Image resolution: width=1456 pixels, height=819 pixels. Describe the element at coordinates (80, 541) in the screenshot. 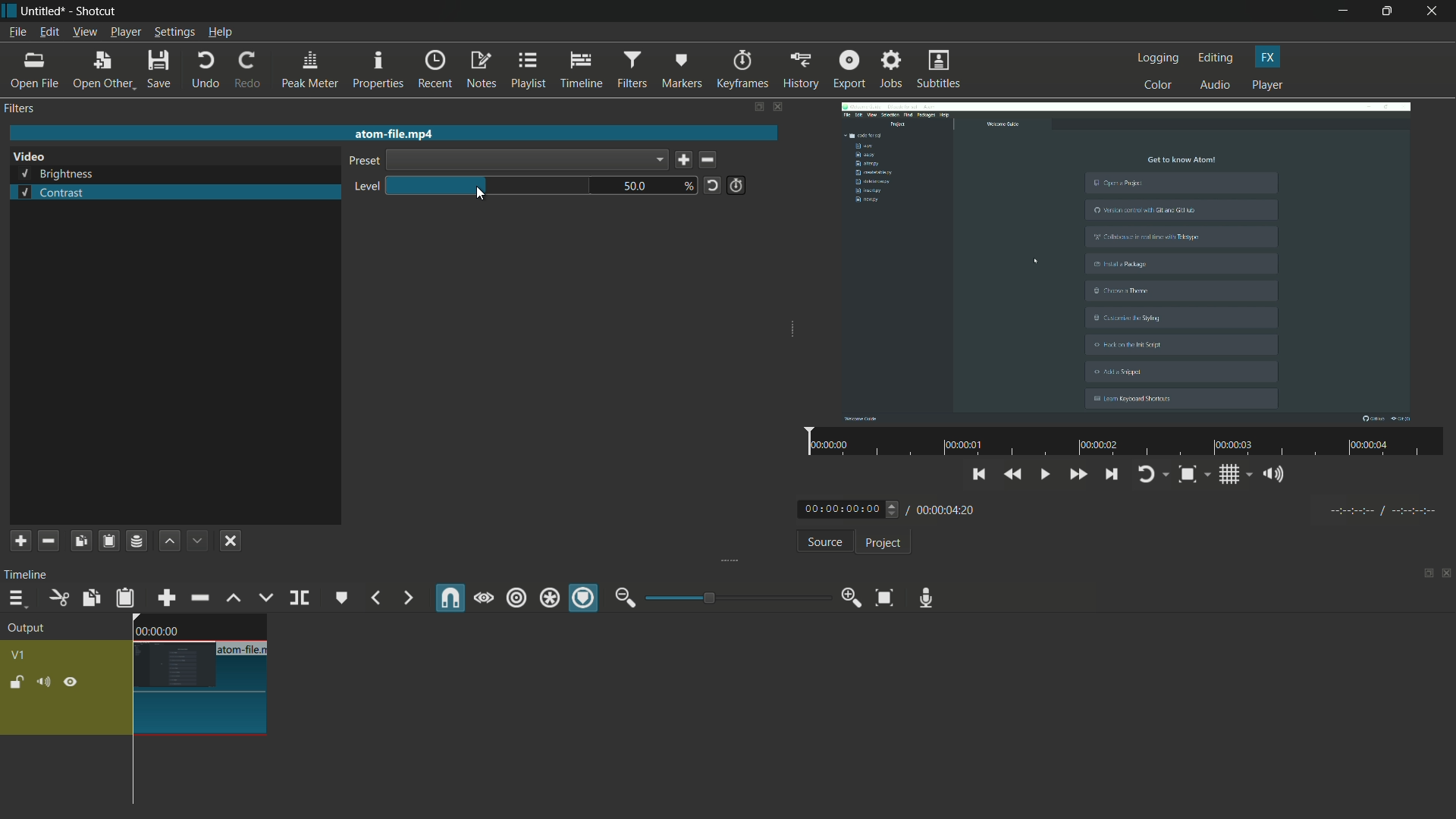

I see `copy filters` at that location.